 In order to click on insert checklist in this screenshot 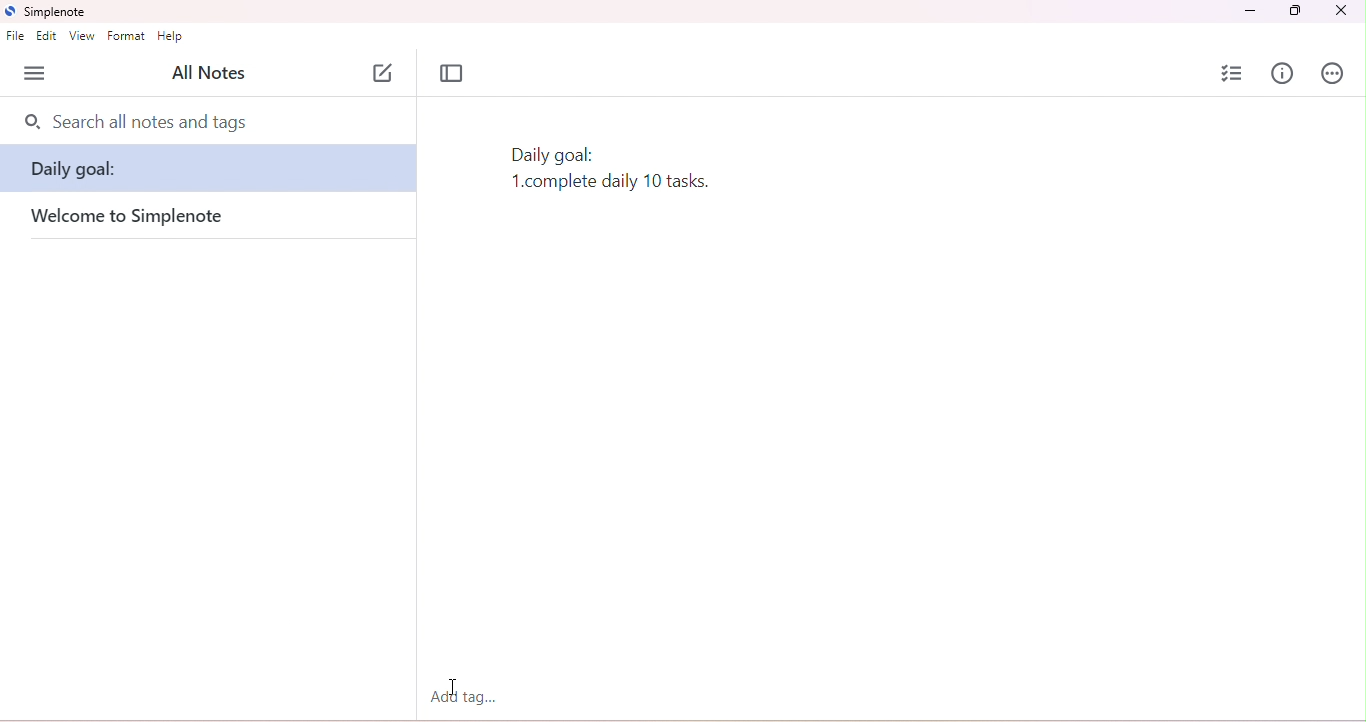, I will do `click(1234, 74)`.